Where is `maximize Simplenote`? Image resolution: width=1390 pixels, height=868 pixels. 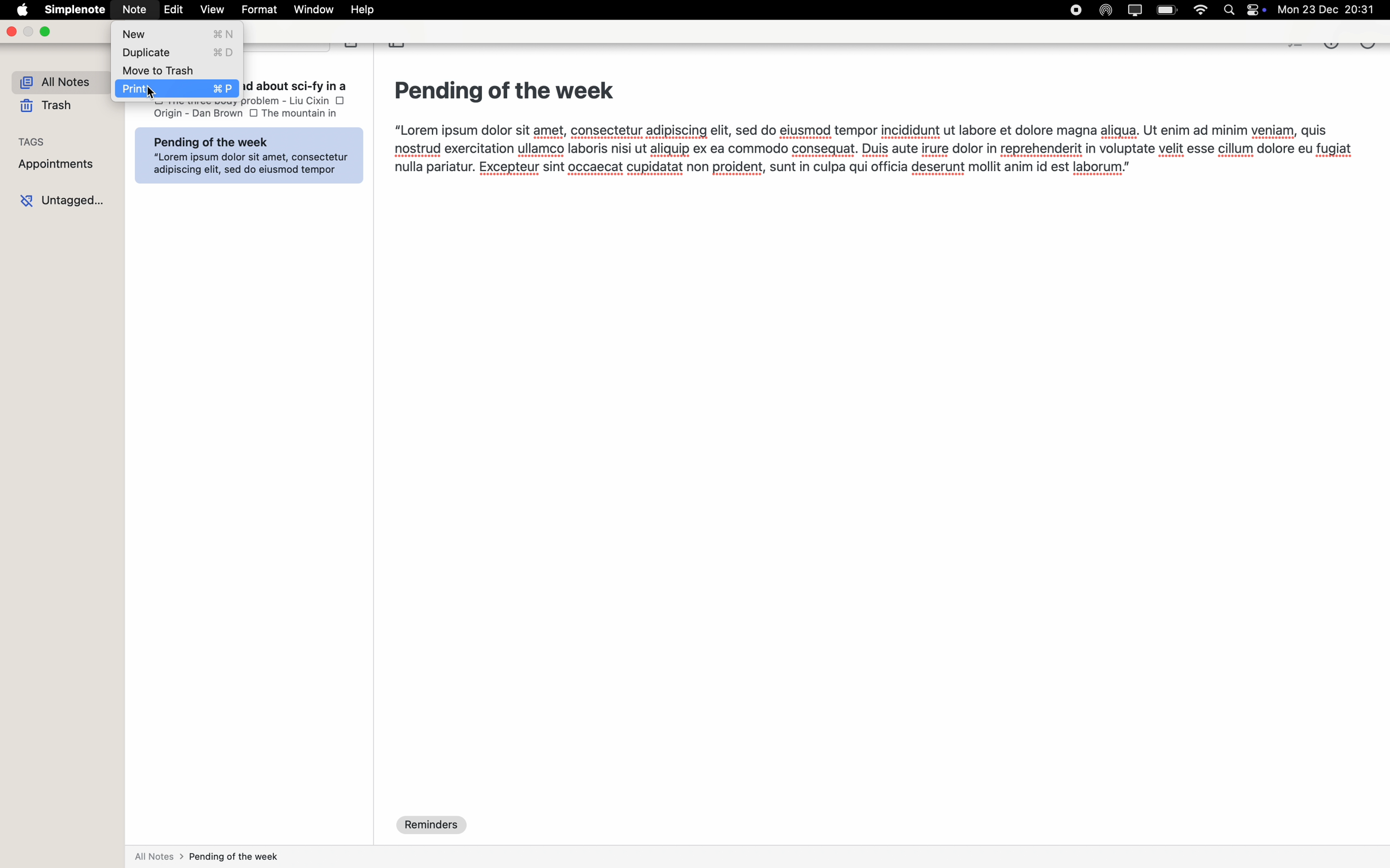
maximize Simplenote is located at coordinates (44, 31).